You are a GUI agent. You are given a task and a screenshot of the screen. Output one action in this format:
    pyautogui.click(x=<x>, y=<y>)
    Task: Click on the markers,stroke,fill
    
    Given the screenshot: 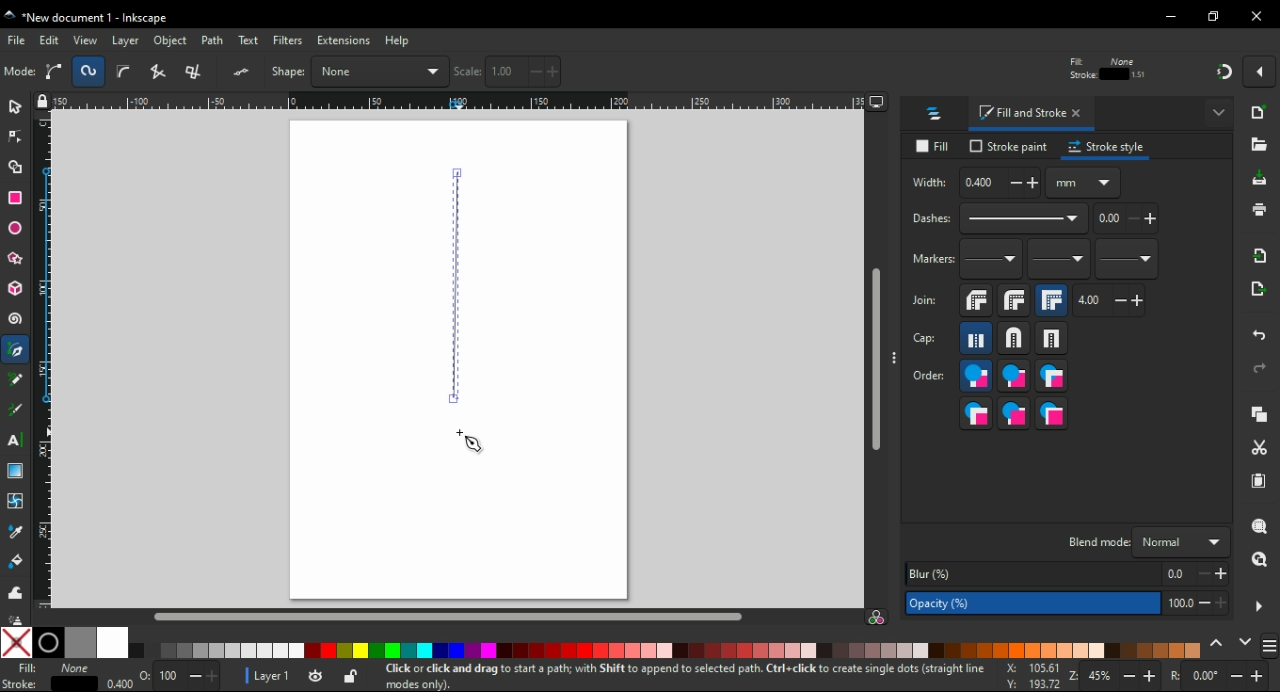 What is the action you would take?
    pyautogui.click(x=1052, y=414)
    